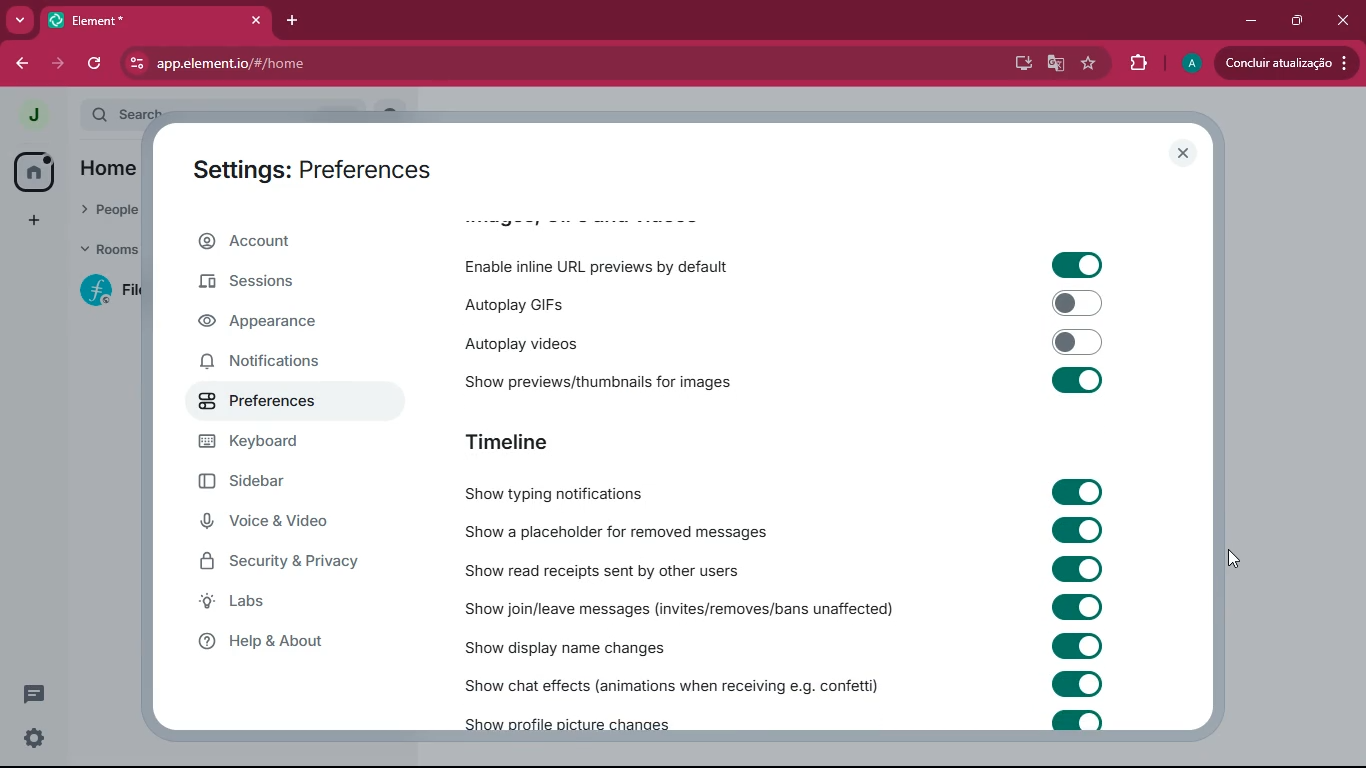  I want to click on extensions, so click(1138, 64).